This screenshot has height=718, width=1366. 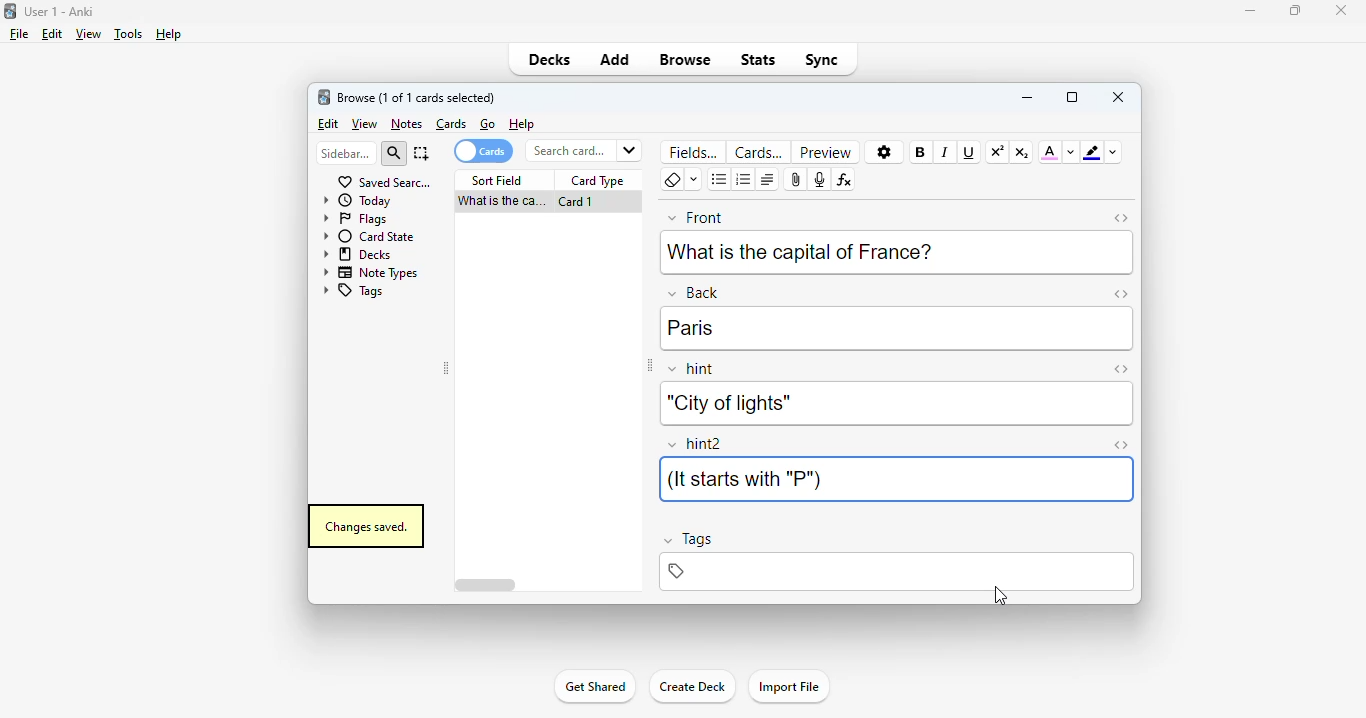 What do you see at coordinates (447, 369) in the screenshot?
I see `toggle sidebar` at bounding box center [447, 369].